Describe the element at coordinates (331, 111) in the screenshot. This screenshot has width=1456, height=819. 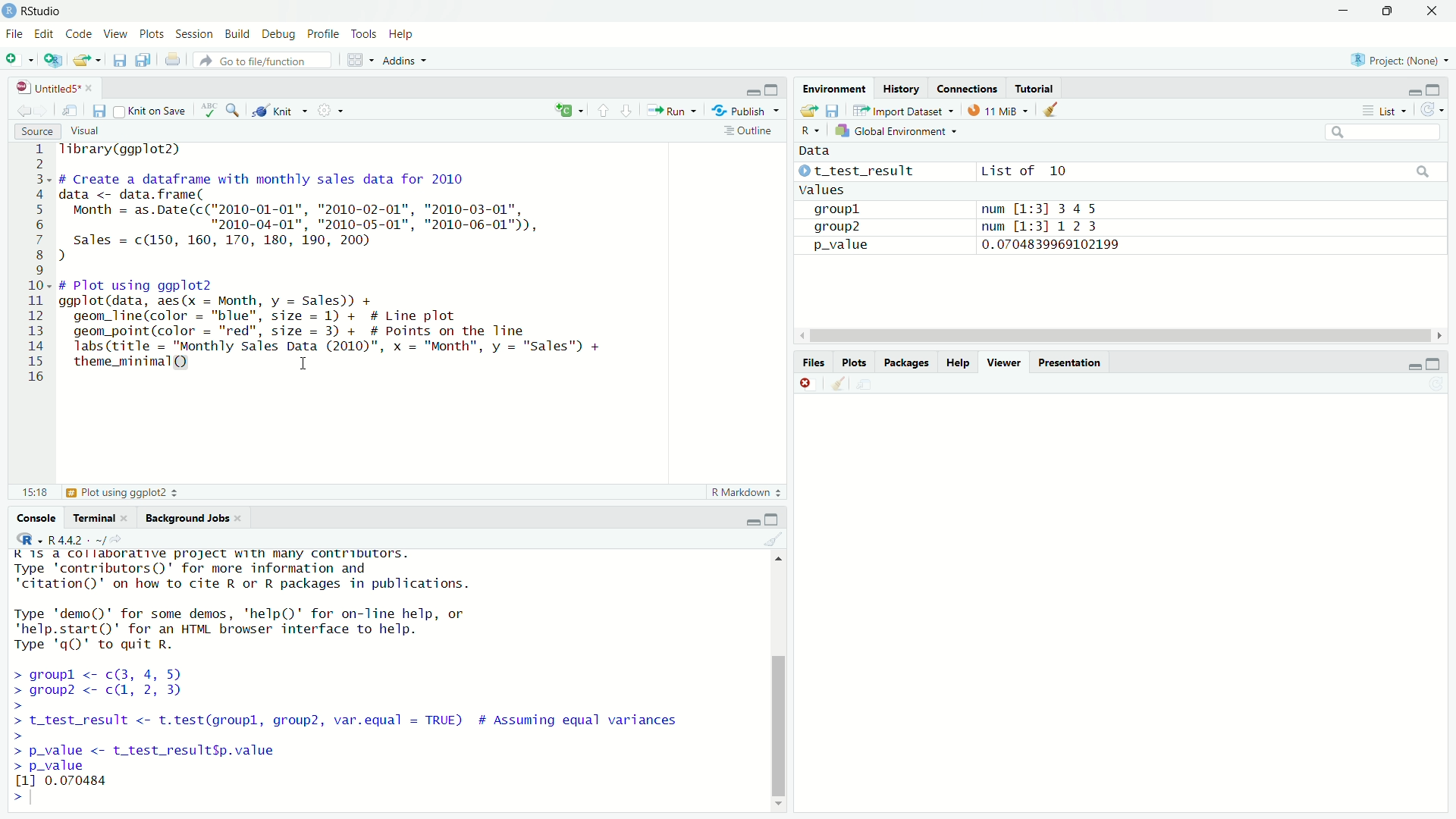
I see `settings` at that location.